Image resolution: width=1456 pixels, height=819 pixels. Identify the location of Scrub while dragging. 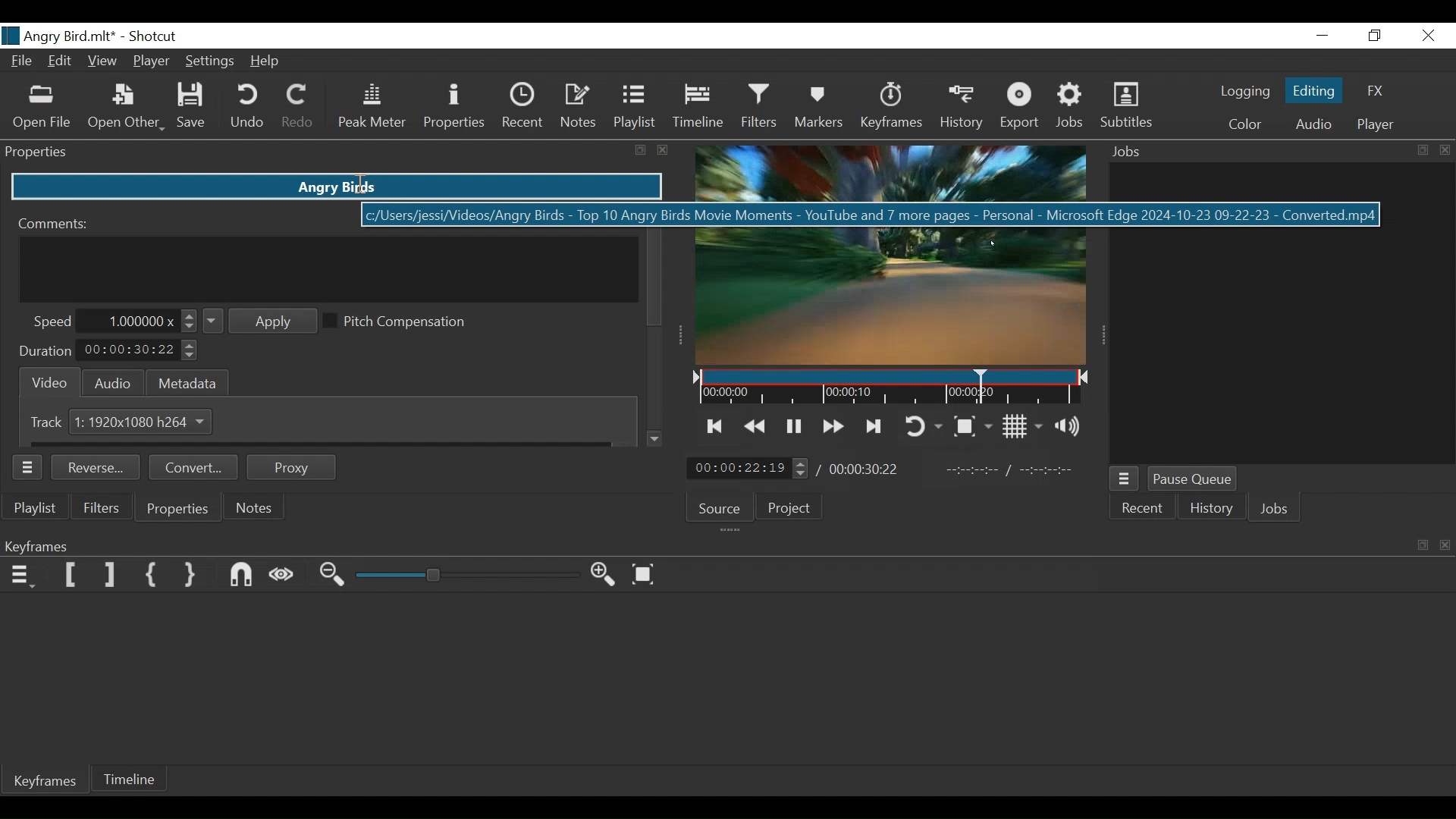
(285, 575).